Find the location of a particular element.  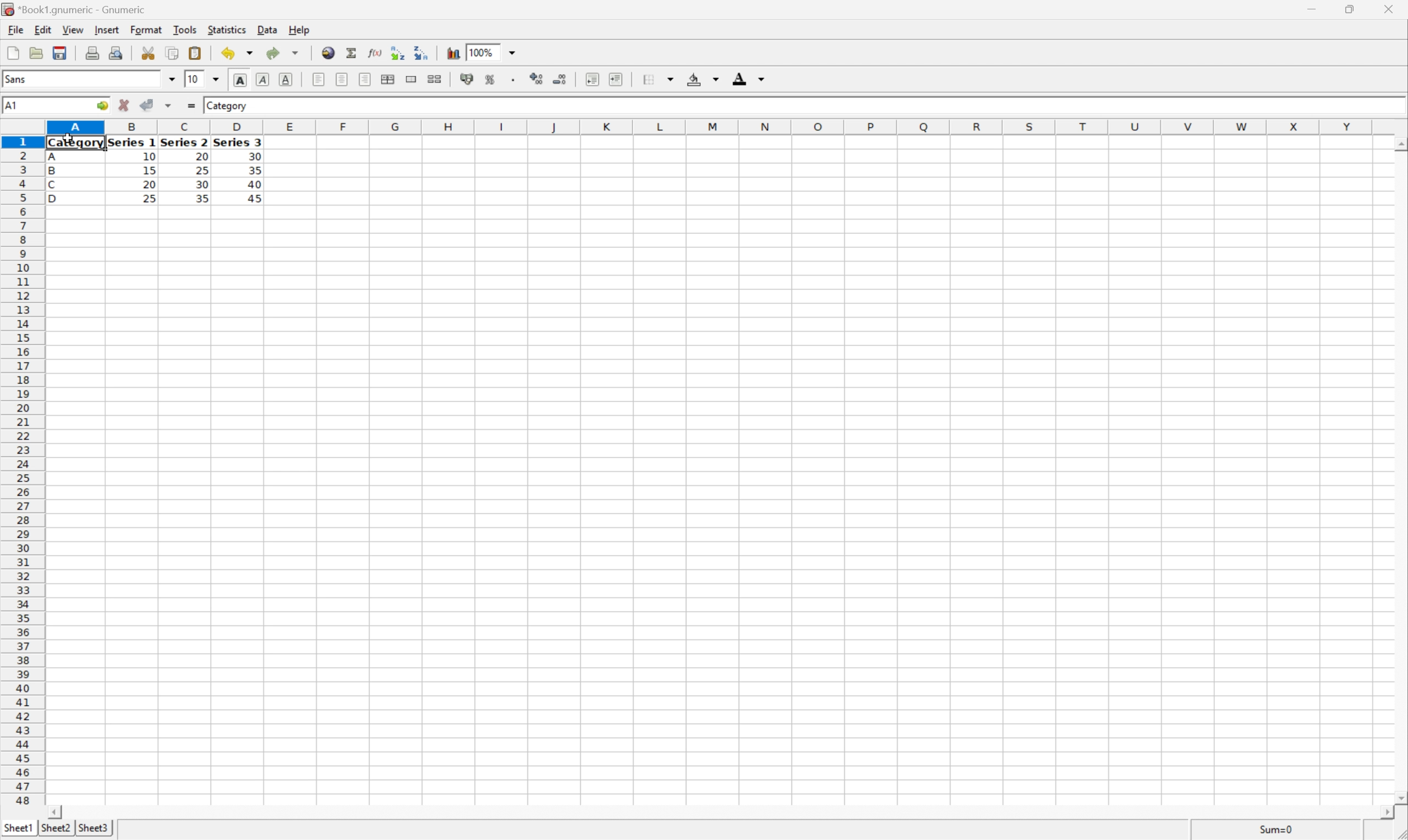

Underline is located at coordinates (286, 78).